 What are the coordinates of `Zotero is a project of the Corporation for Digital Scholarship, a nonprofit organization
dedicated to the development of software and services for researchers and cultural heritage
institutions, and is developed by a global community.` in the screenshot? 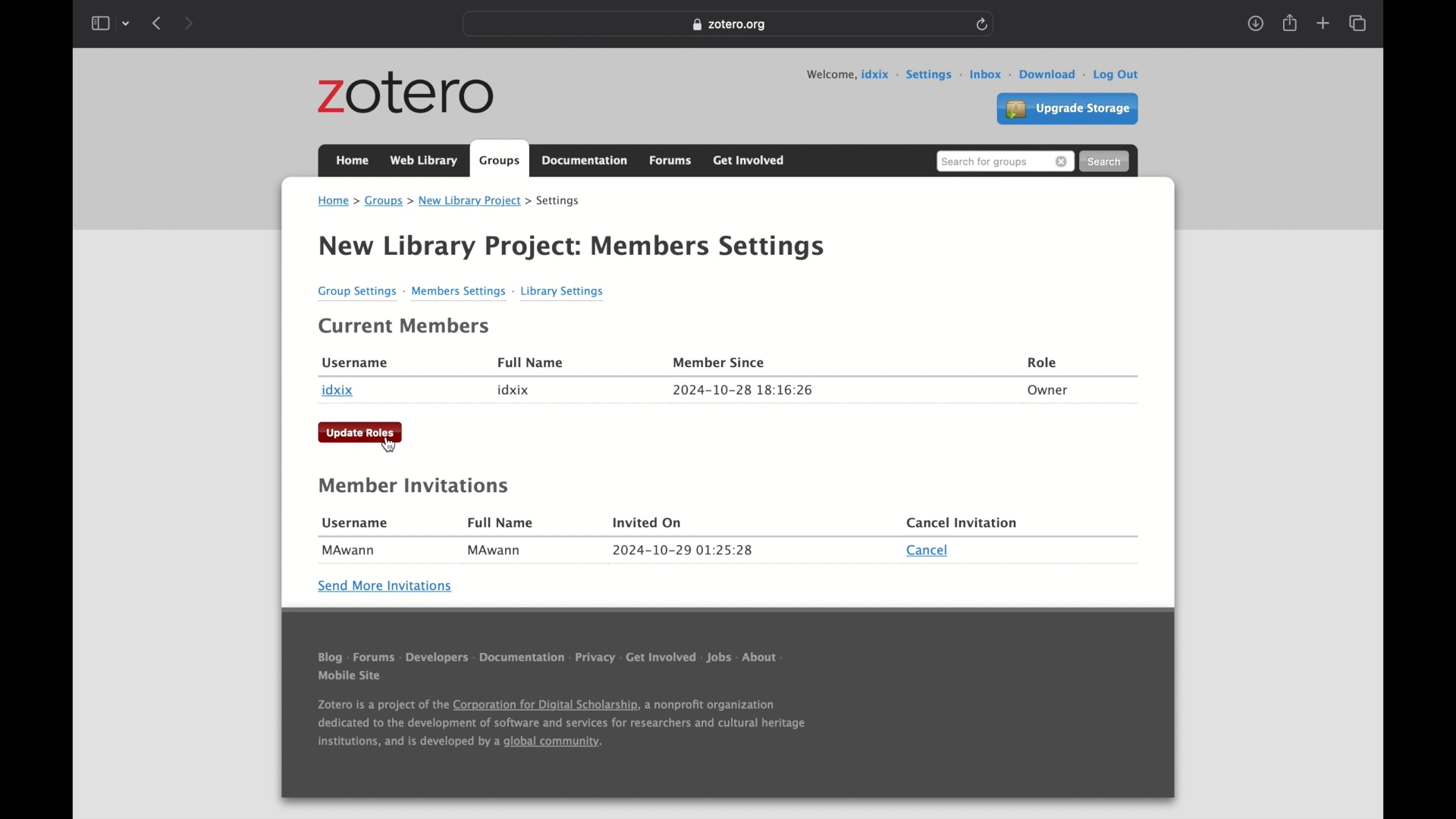 It's located at (561, 726).